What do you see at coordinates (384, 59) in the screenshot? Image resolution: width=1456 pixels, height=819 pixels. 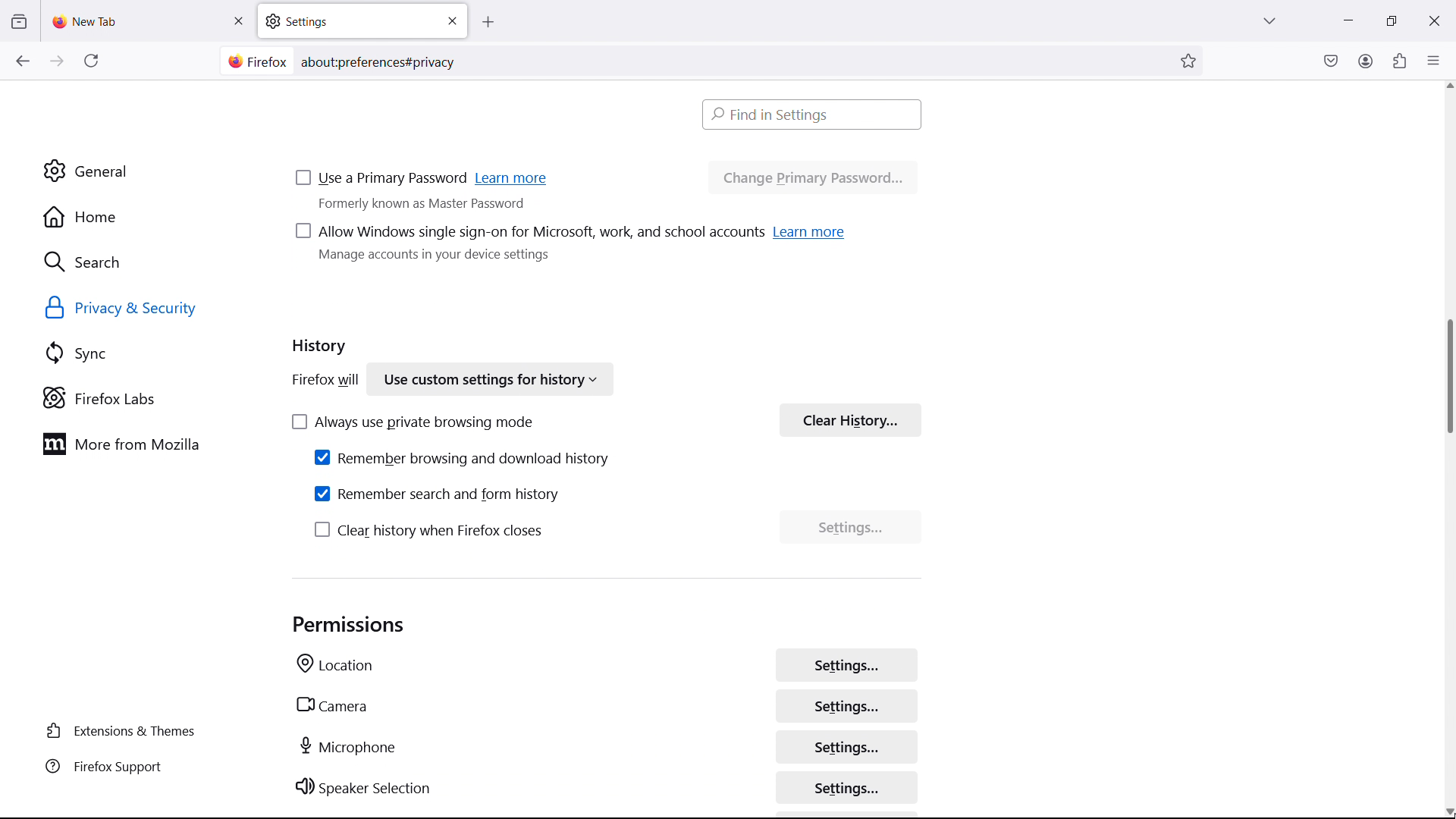 I see `aboutpreferences#privacy` at bounding box center [384, 59].